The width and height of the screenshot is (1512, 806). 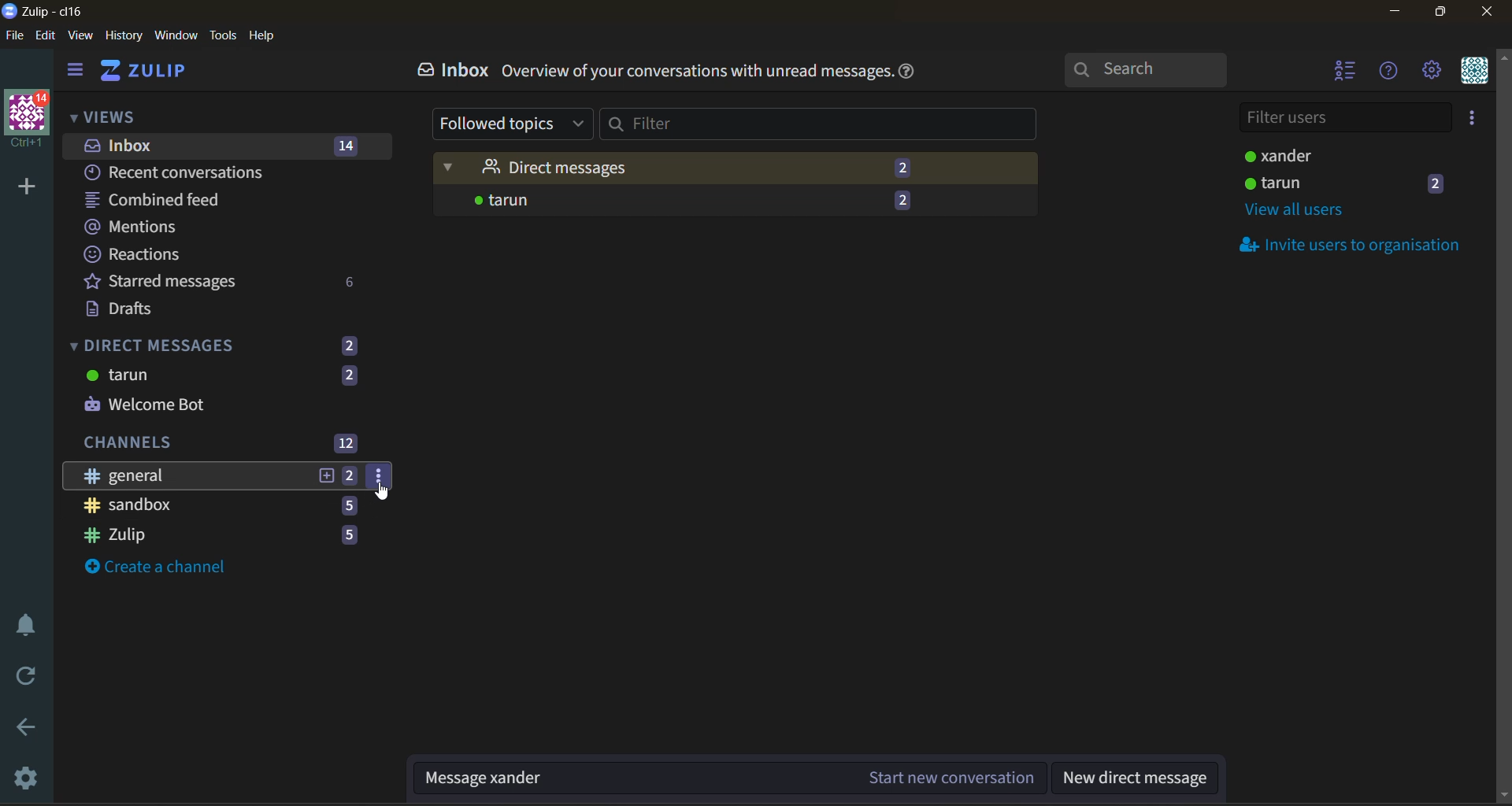 I want to click on sandbox 5, so click(x=221, y=509).